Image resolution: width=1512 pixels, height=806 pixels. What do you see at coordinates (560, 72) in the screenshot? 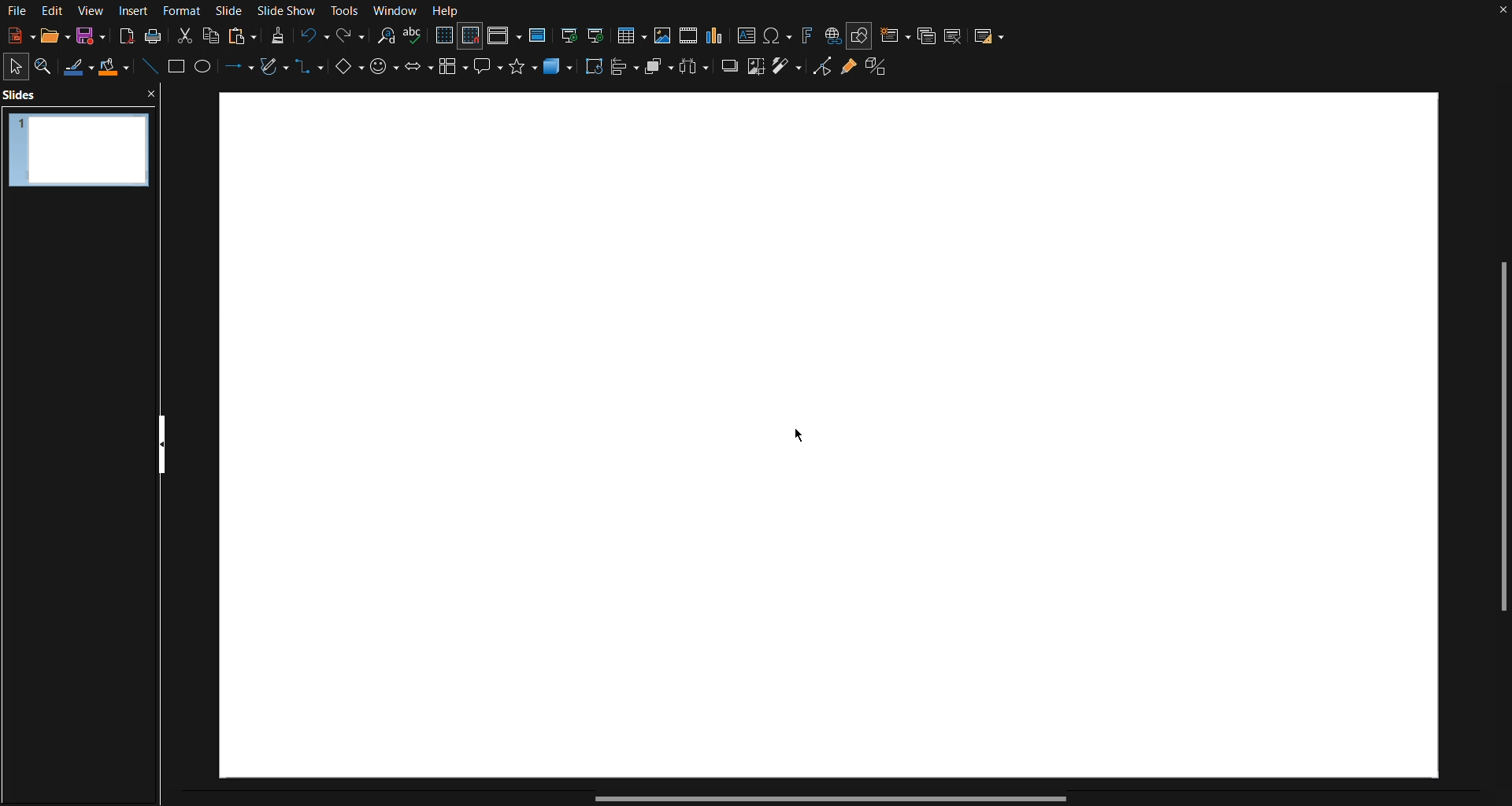
I see `3D Objects` at bounding box center [560, 72].